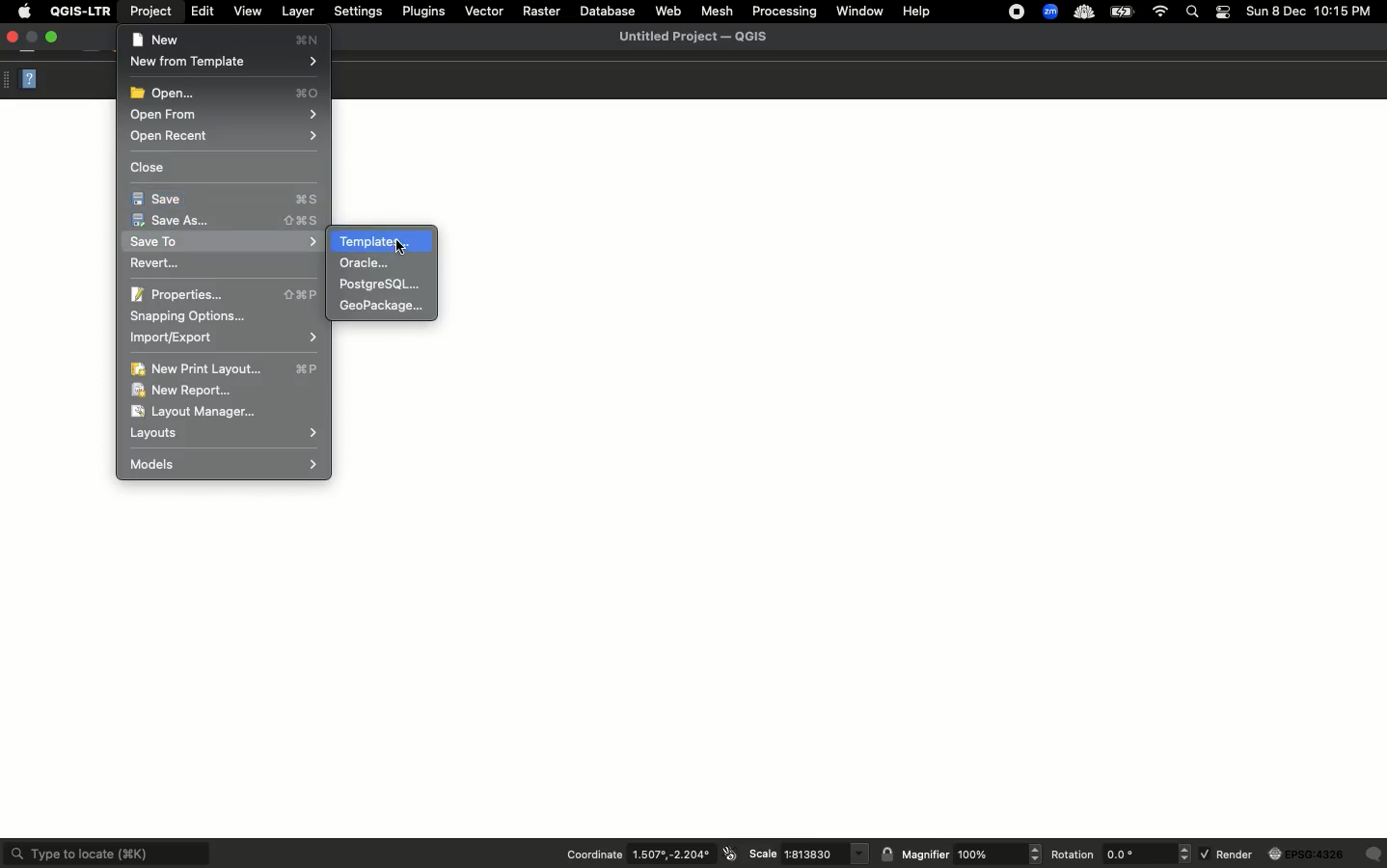  I want to click on cursor, so click(407, 244).